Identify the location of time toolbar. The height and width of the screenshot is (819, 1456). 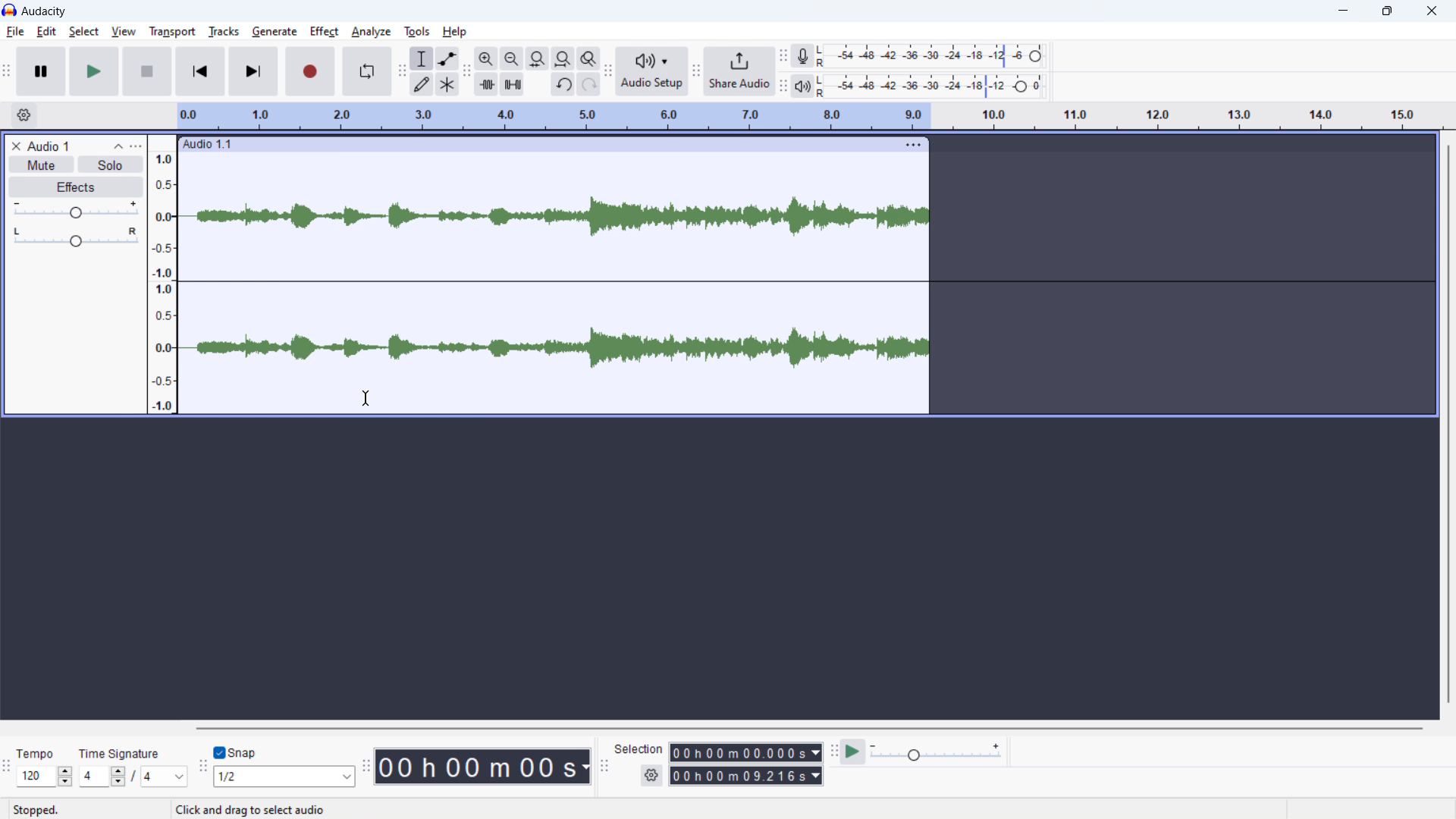
(366, 768).